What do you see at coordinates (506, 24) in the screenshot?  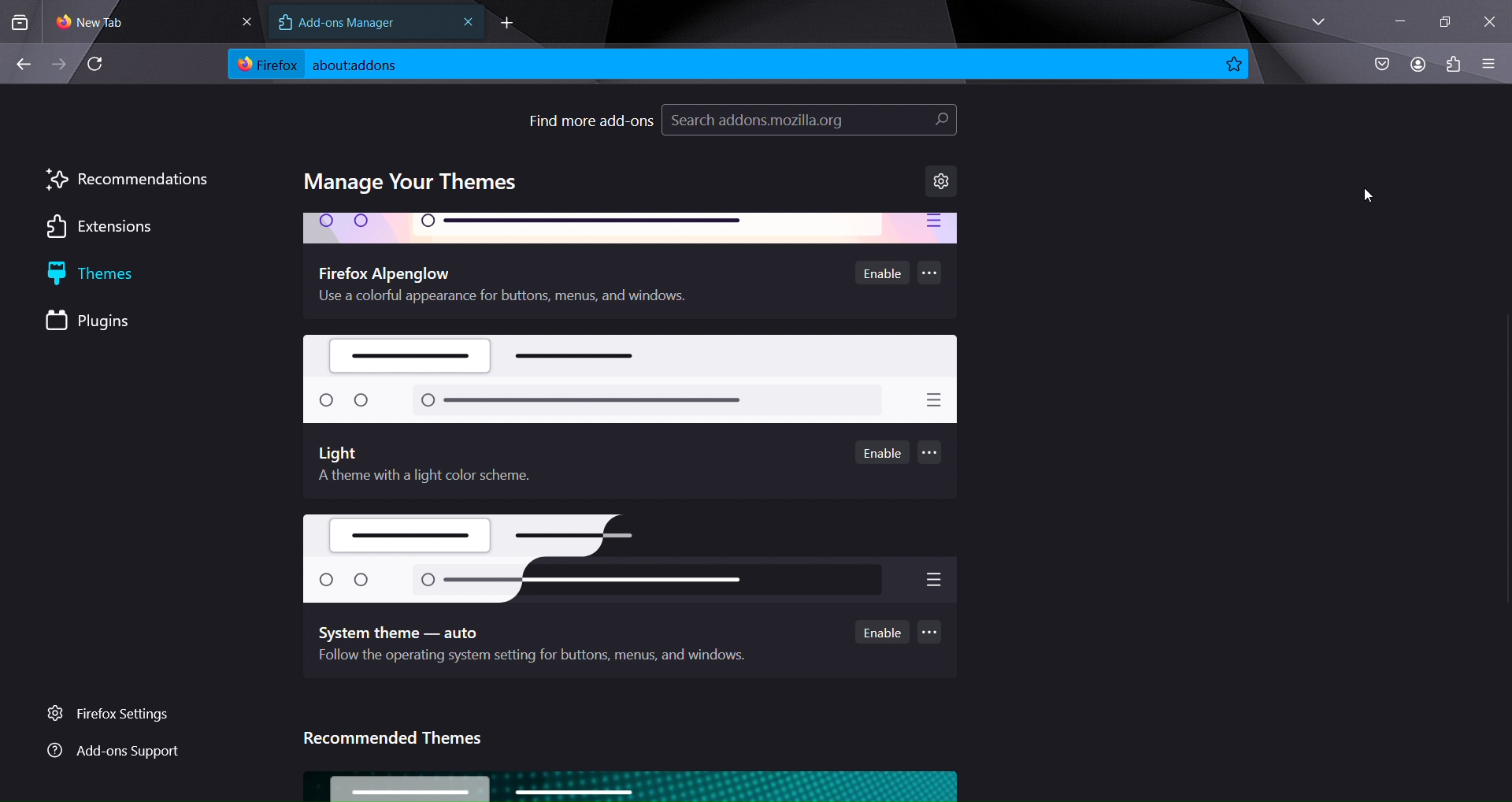 I see `new tab` at bounding box center [506, 24].